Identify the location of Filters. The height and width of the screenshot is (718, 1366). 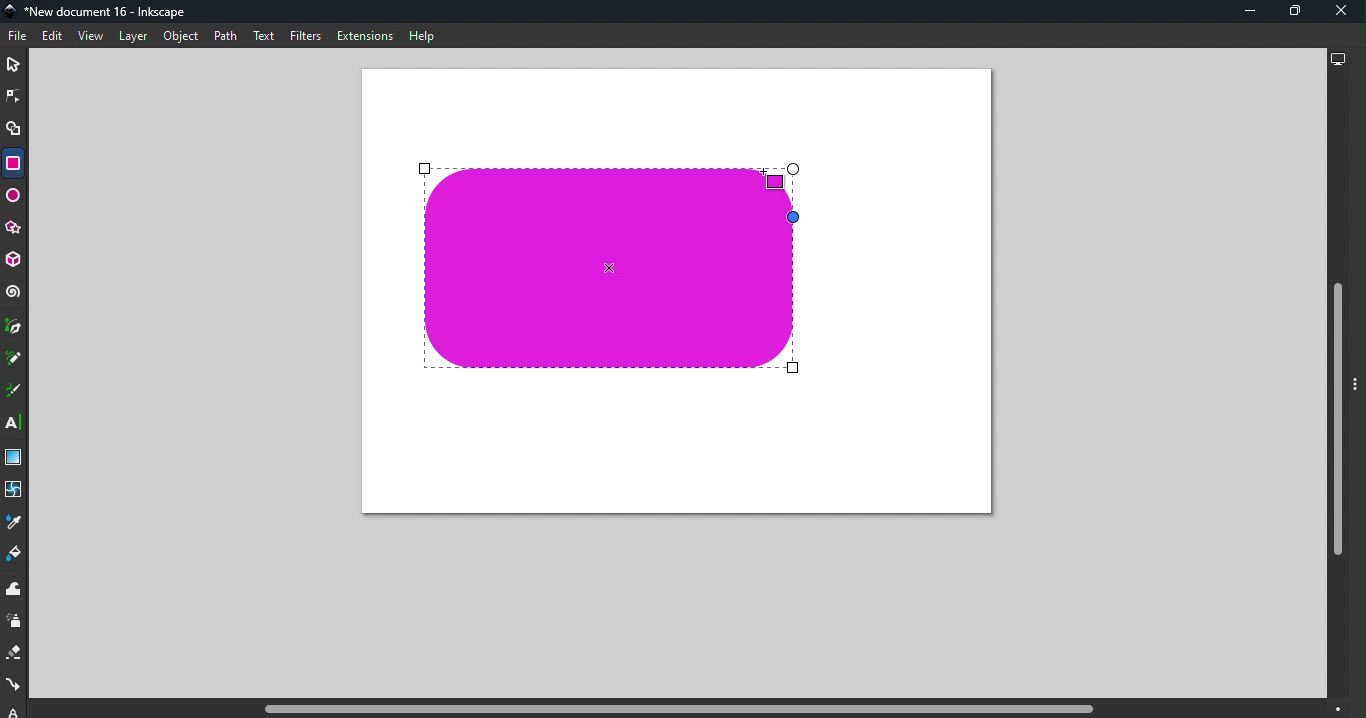
(306, 38).